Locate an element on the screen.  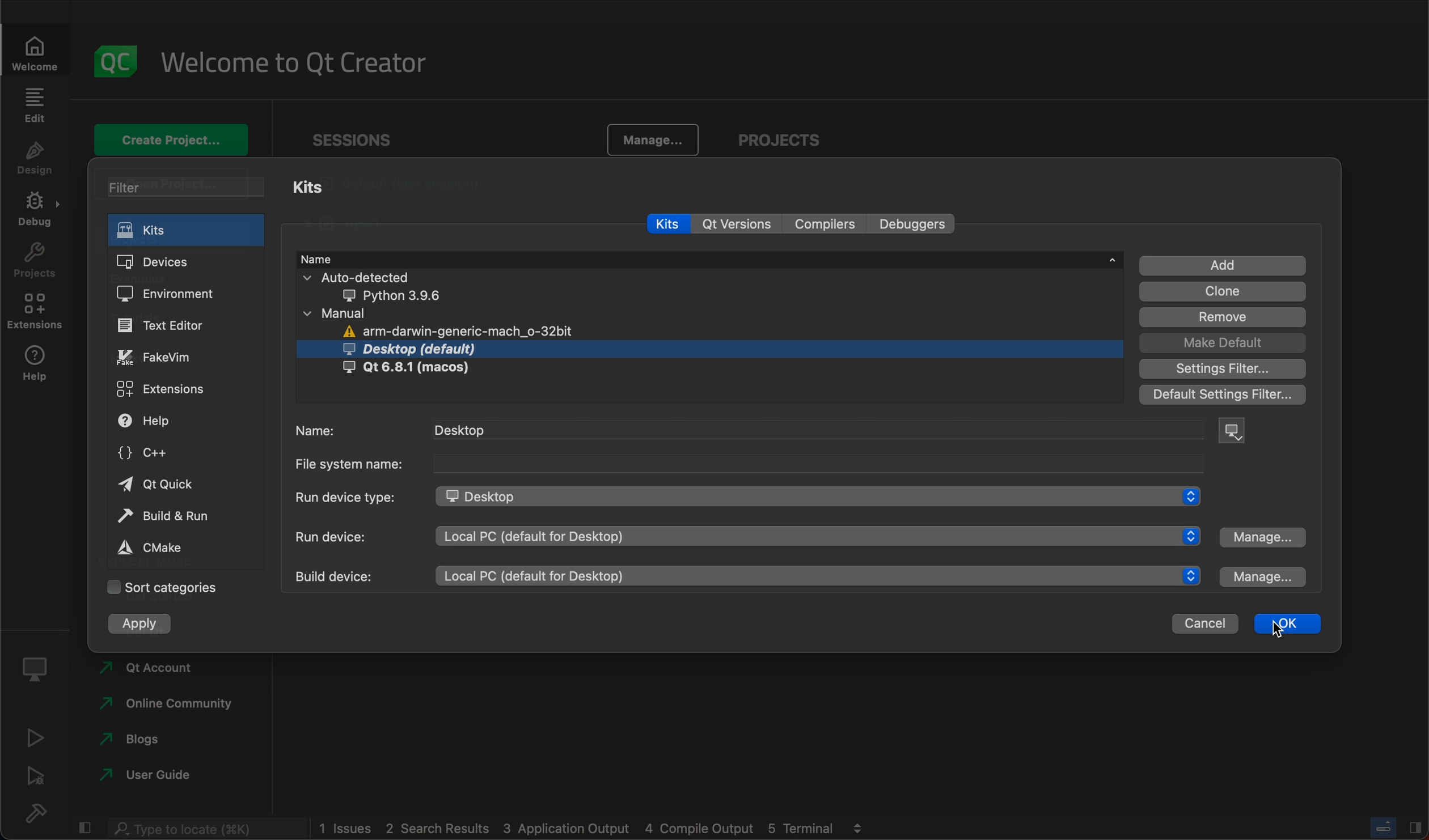
projects is located at coordinates (33, 265).